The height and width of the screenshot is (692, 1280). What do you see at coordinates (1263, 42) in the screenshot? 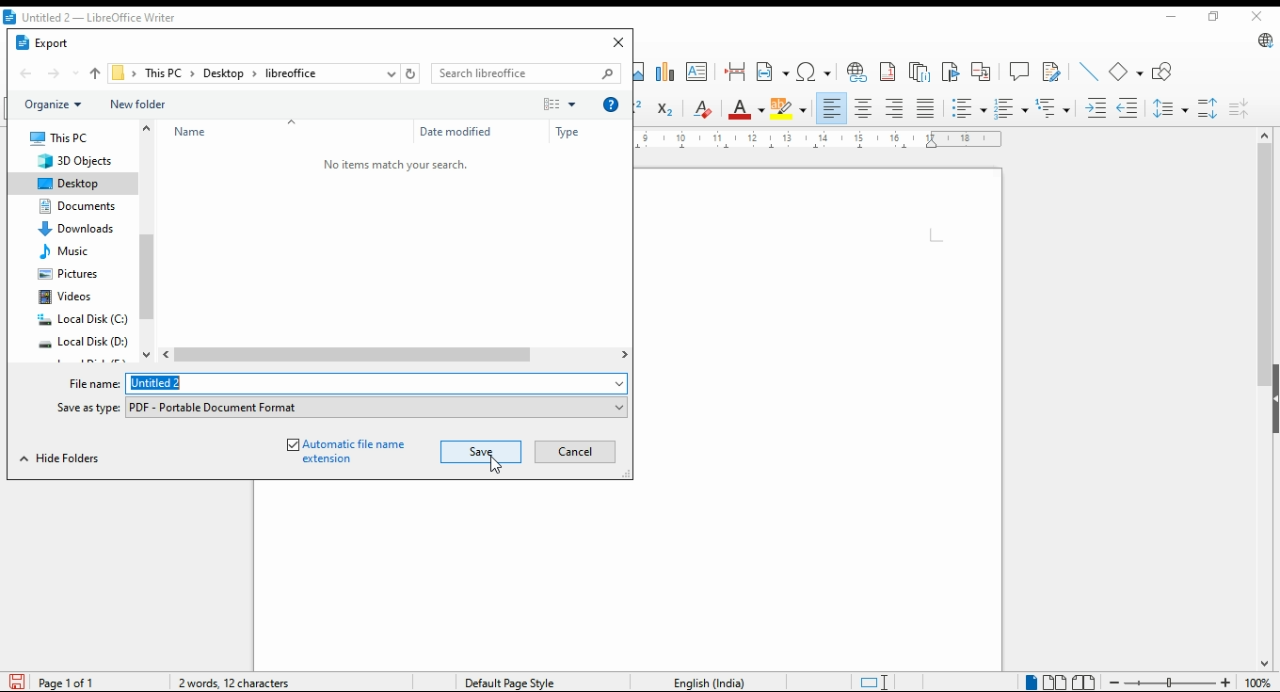
I see `libreoffice update` at bounding box center [1263, 42].